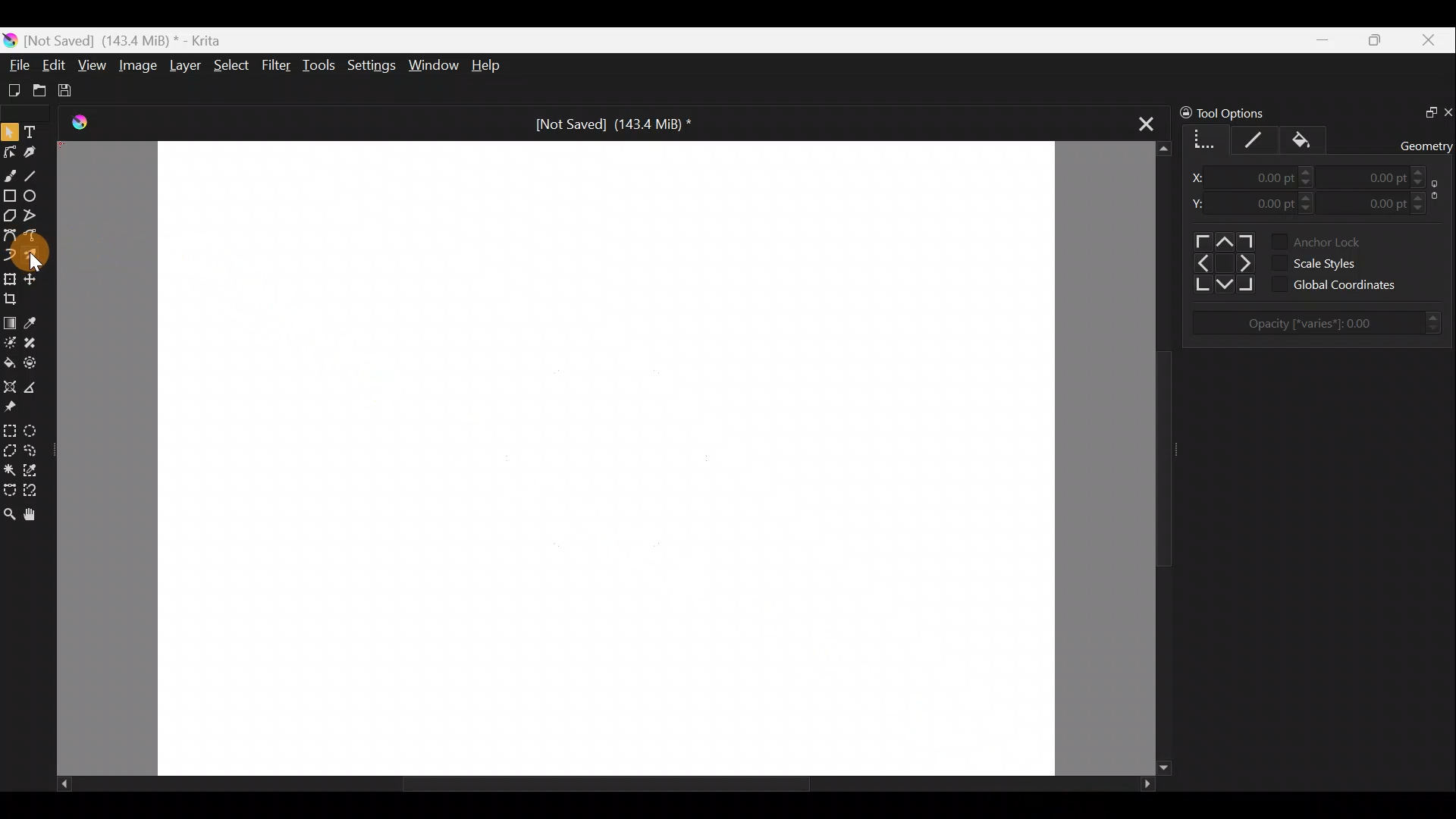 Image resolution: width=1456 pixels, height=819 pixels. What do you see at coordinates (369, 66) in the screenshot?
I see `Settings` at bounding box center [369, 66].